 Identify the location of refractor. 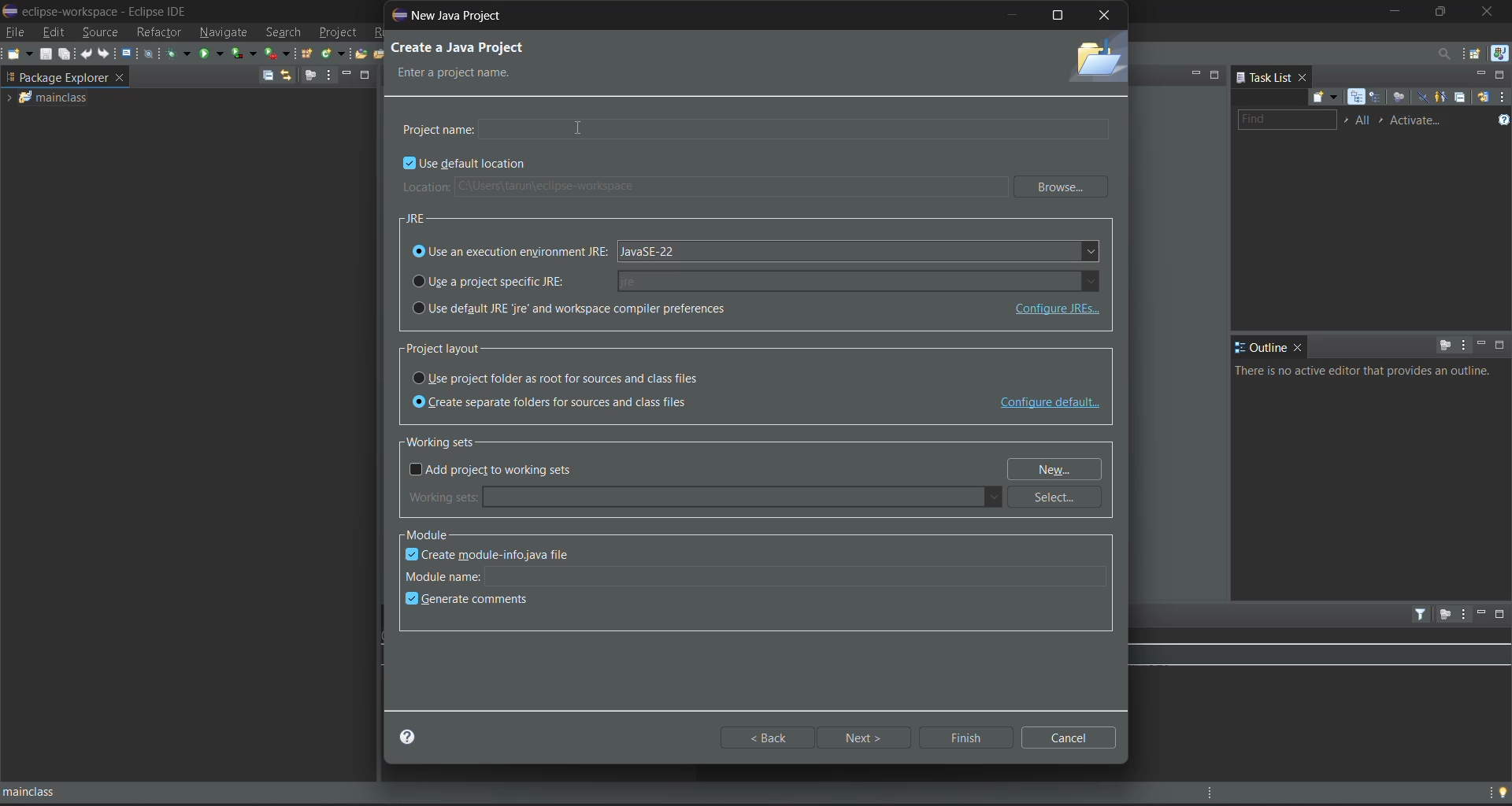
(159, 32).